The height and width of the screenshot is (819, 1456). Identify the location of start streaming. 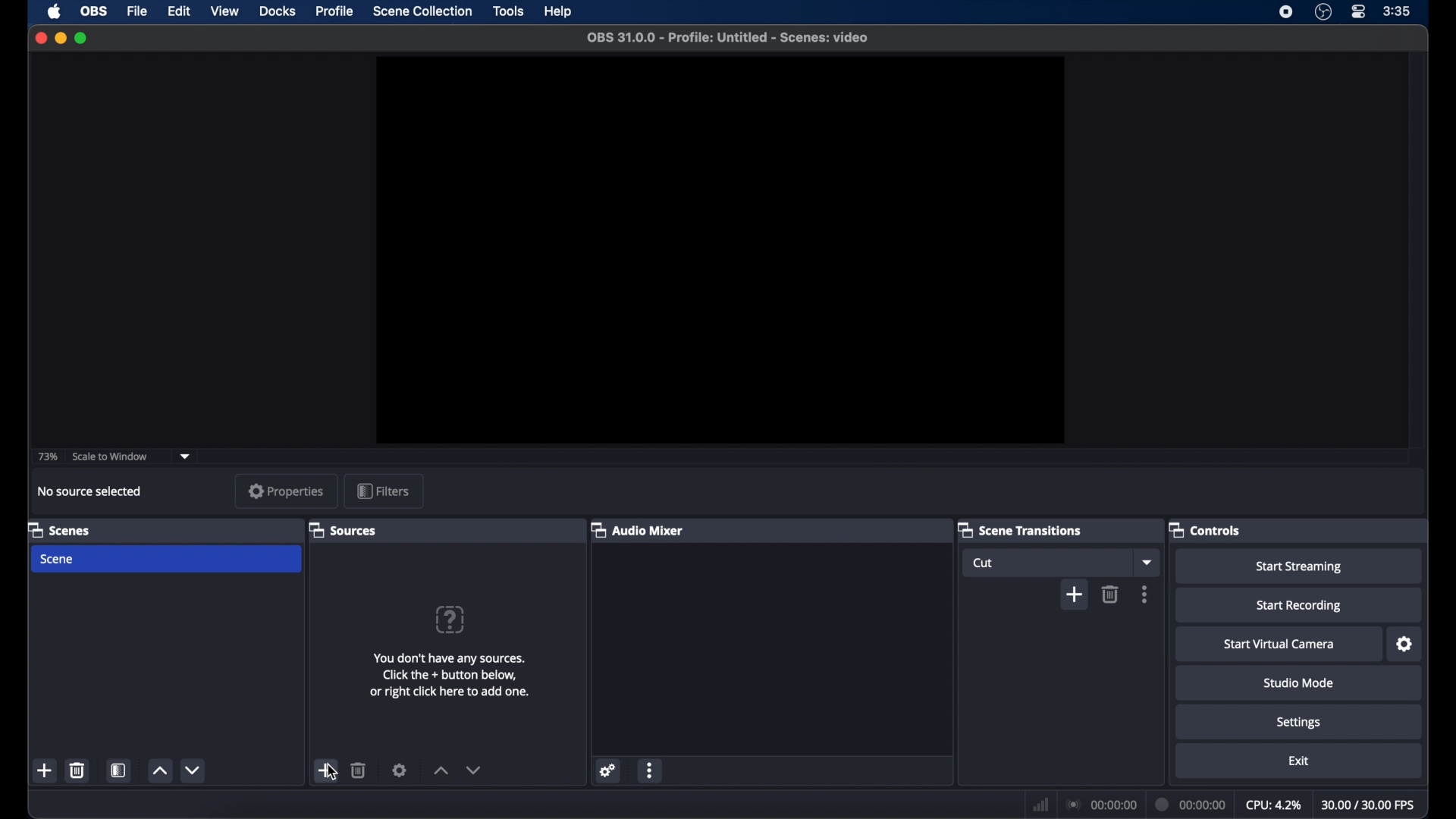
(1301, 566).